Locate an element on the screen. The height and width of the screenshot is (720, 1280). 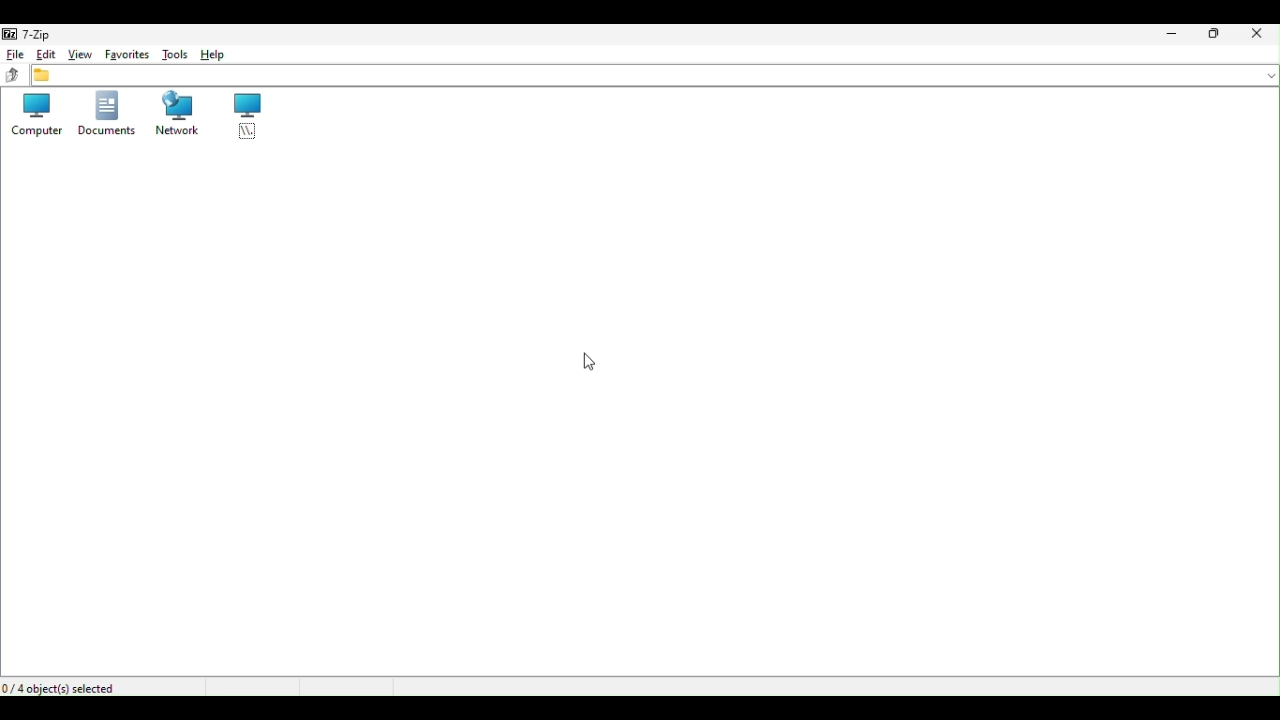
close is located at coordinates (1258, 33).